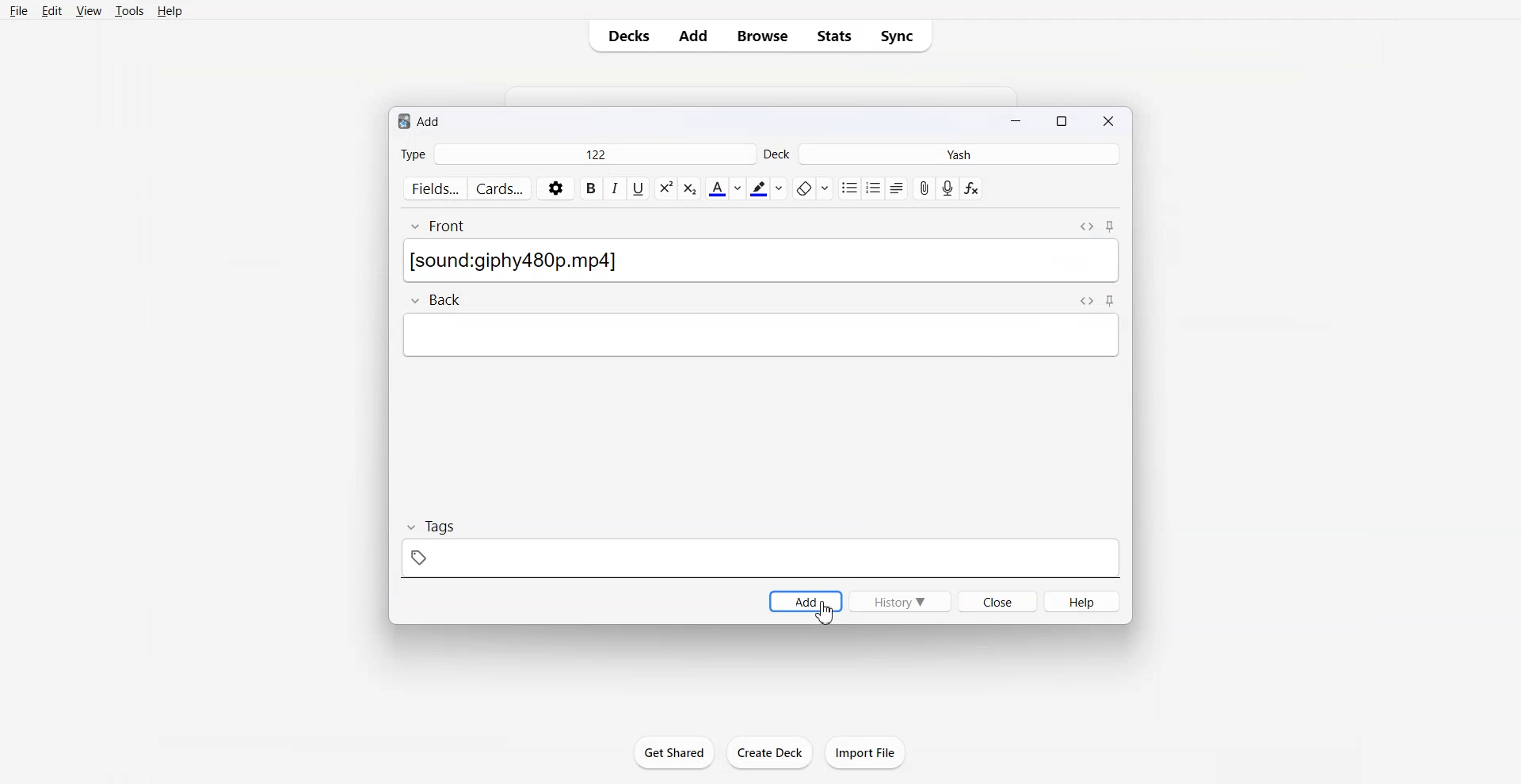 This screenshot has width=1521, height=784. What do you see at coordinates (778, 154) in the screenshot?
I see `Deck` at bounding box center [778, 154].